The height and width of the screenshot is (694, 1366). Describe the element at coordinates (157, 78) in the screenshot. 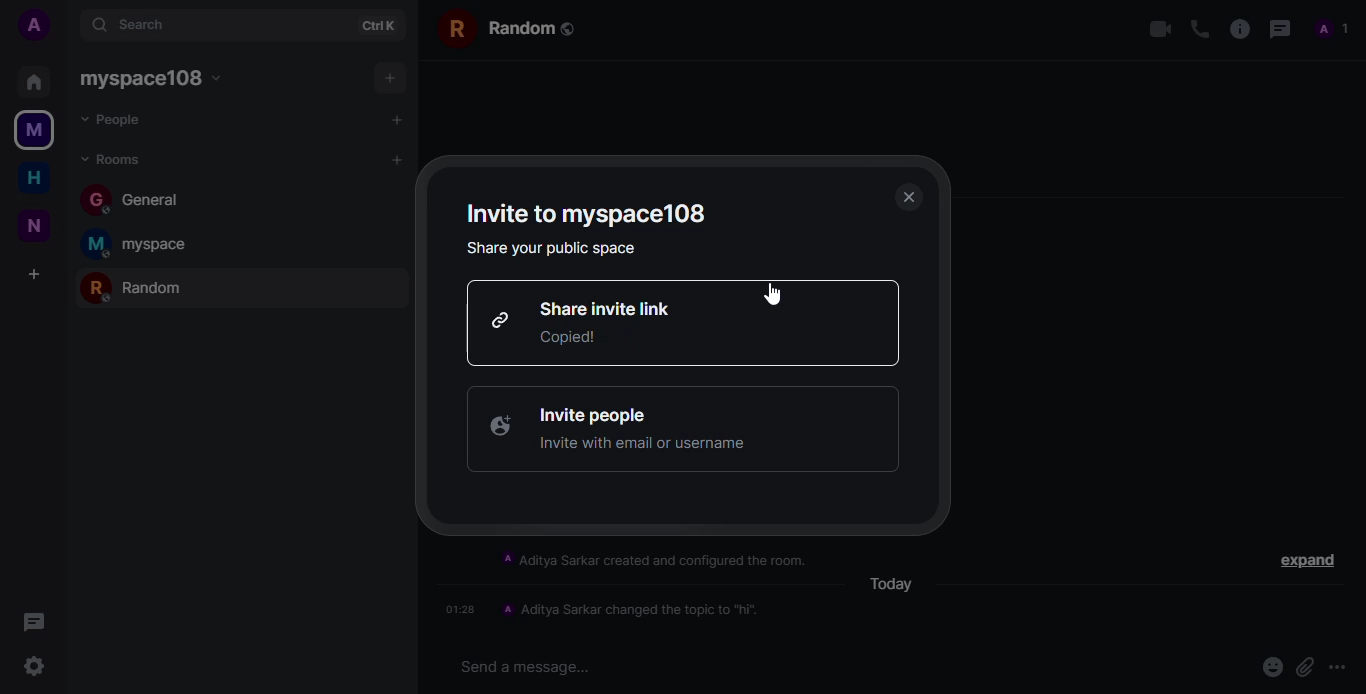

I see `myspace108` at that location.